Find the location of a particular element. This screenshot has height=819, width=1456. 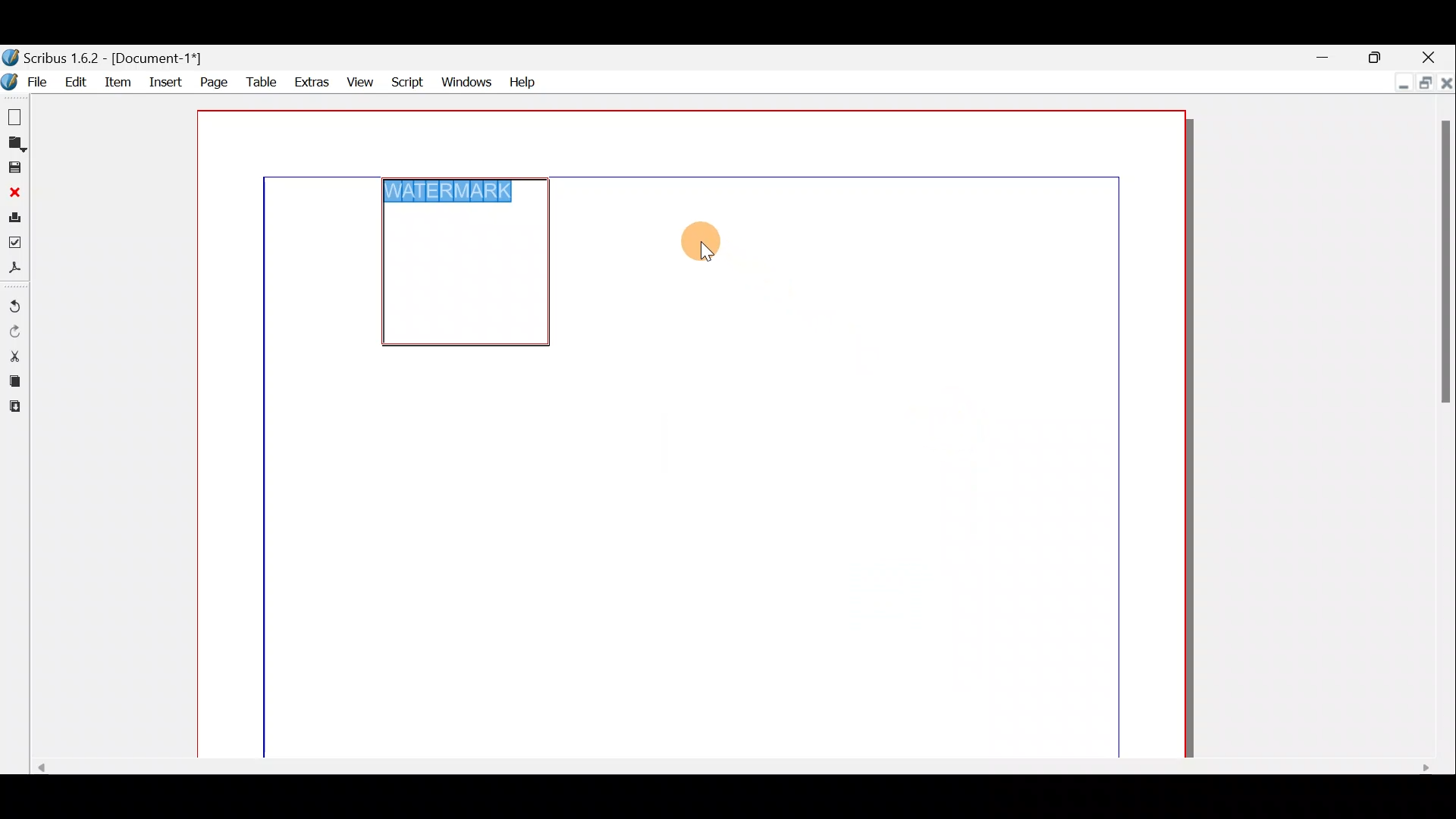

Close is located at coordinates (14, 193).